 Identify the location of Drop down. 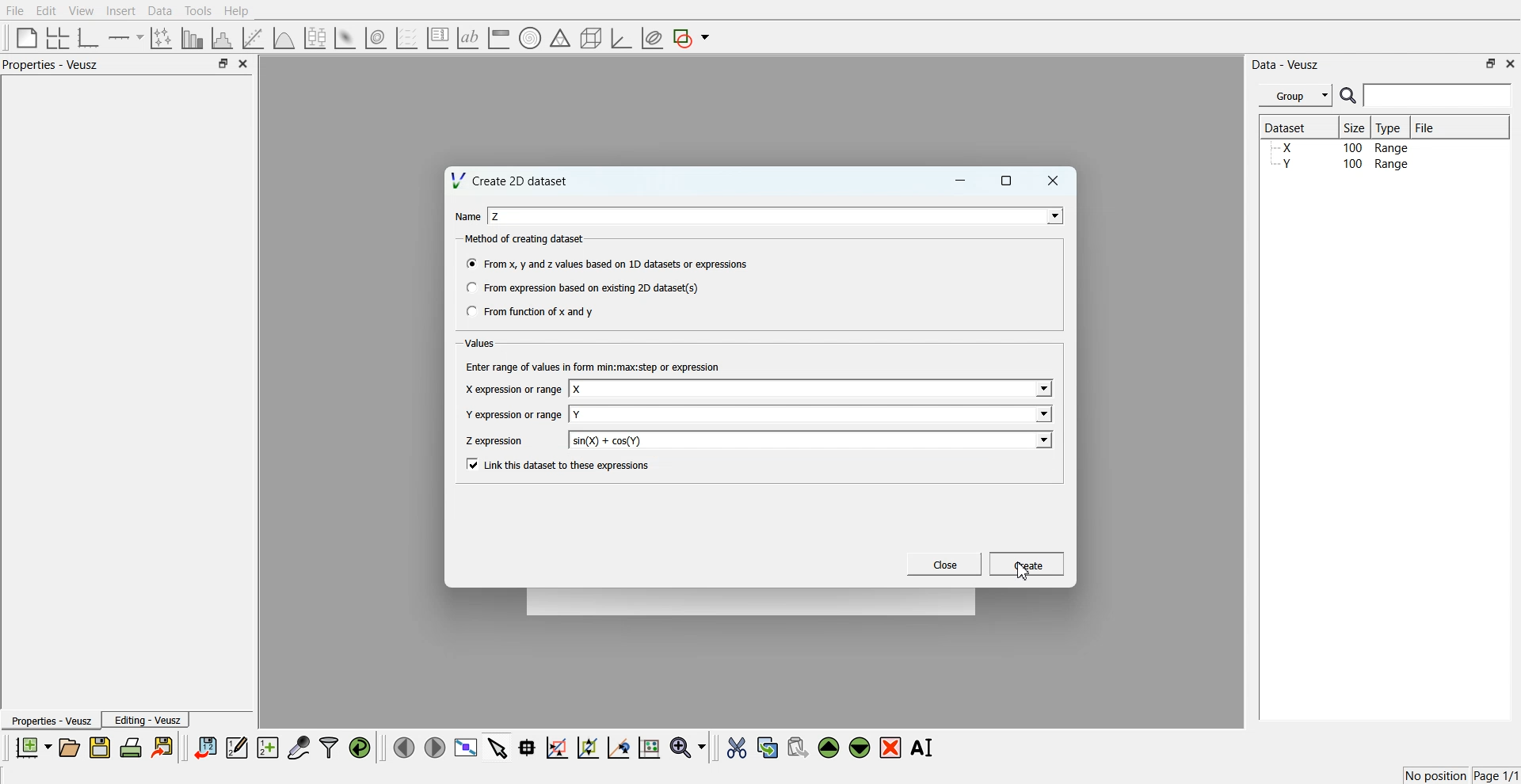
(1042, 390).